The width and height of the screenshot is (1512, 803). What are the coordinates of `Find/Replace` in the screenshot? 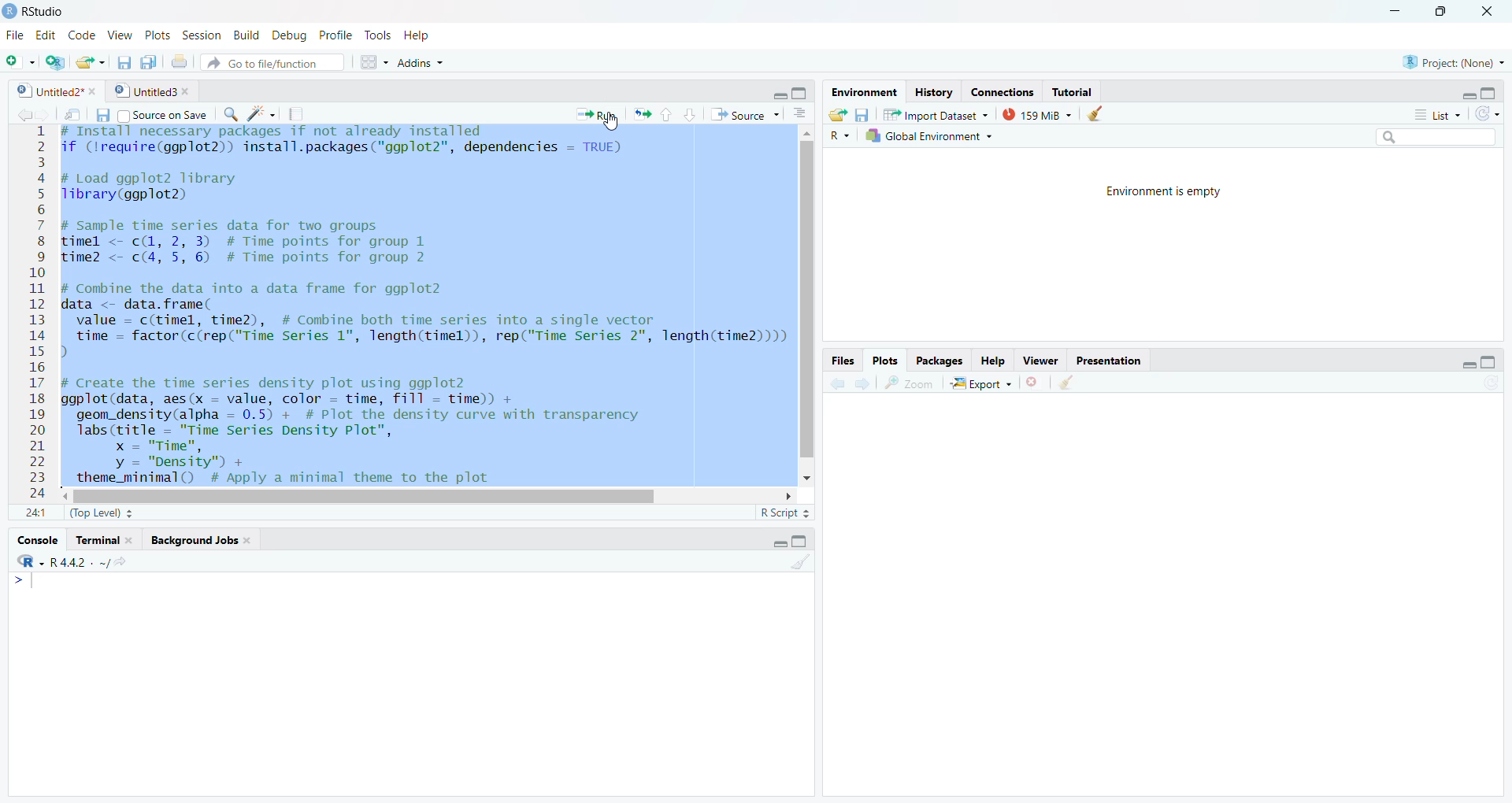 It's located at (230, 113).